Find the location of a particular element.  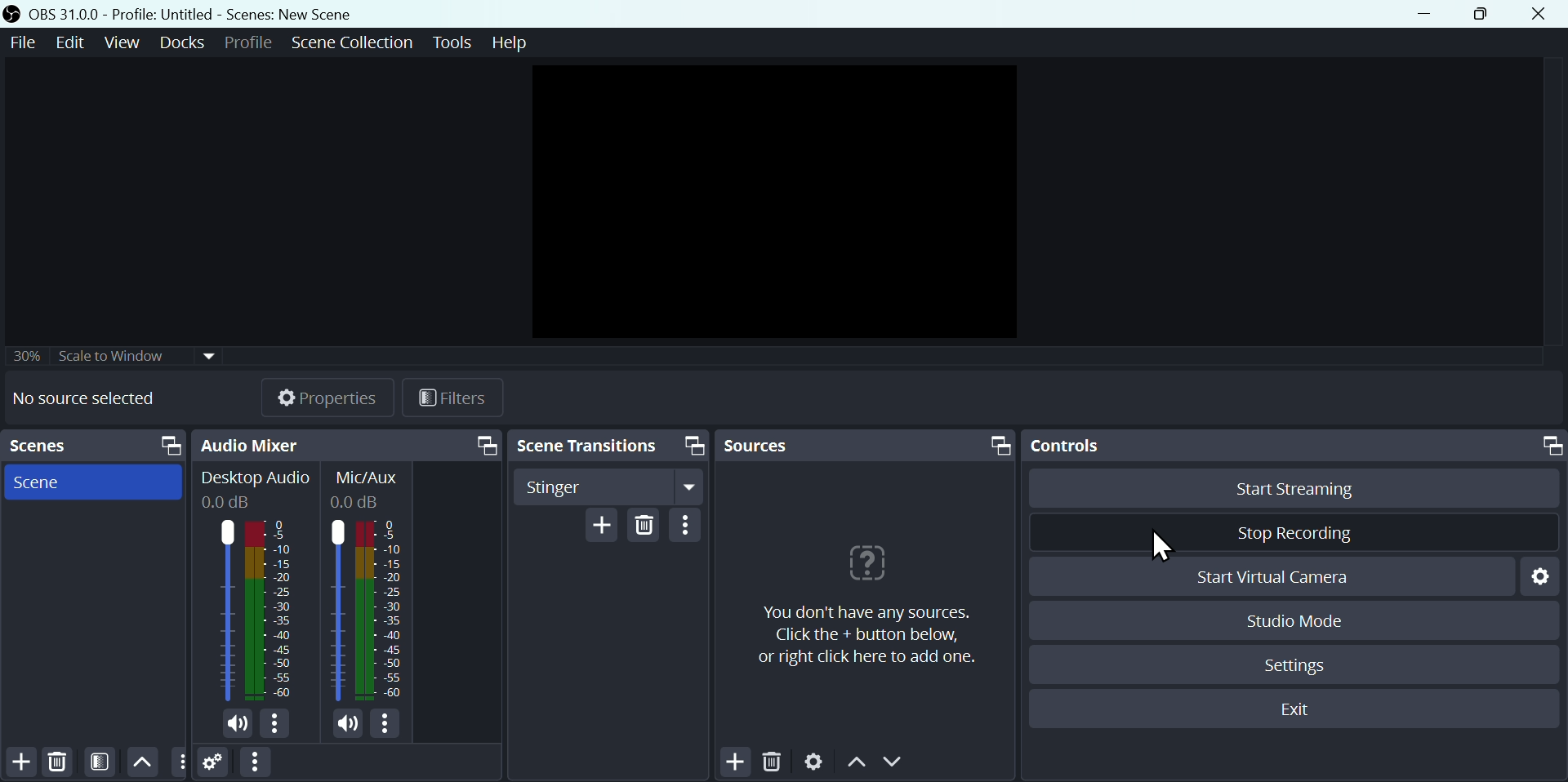

video clip is located at coordinates (775, 200).